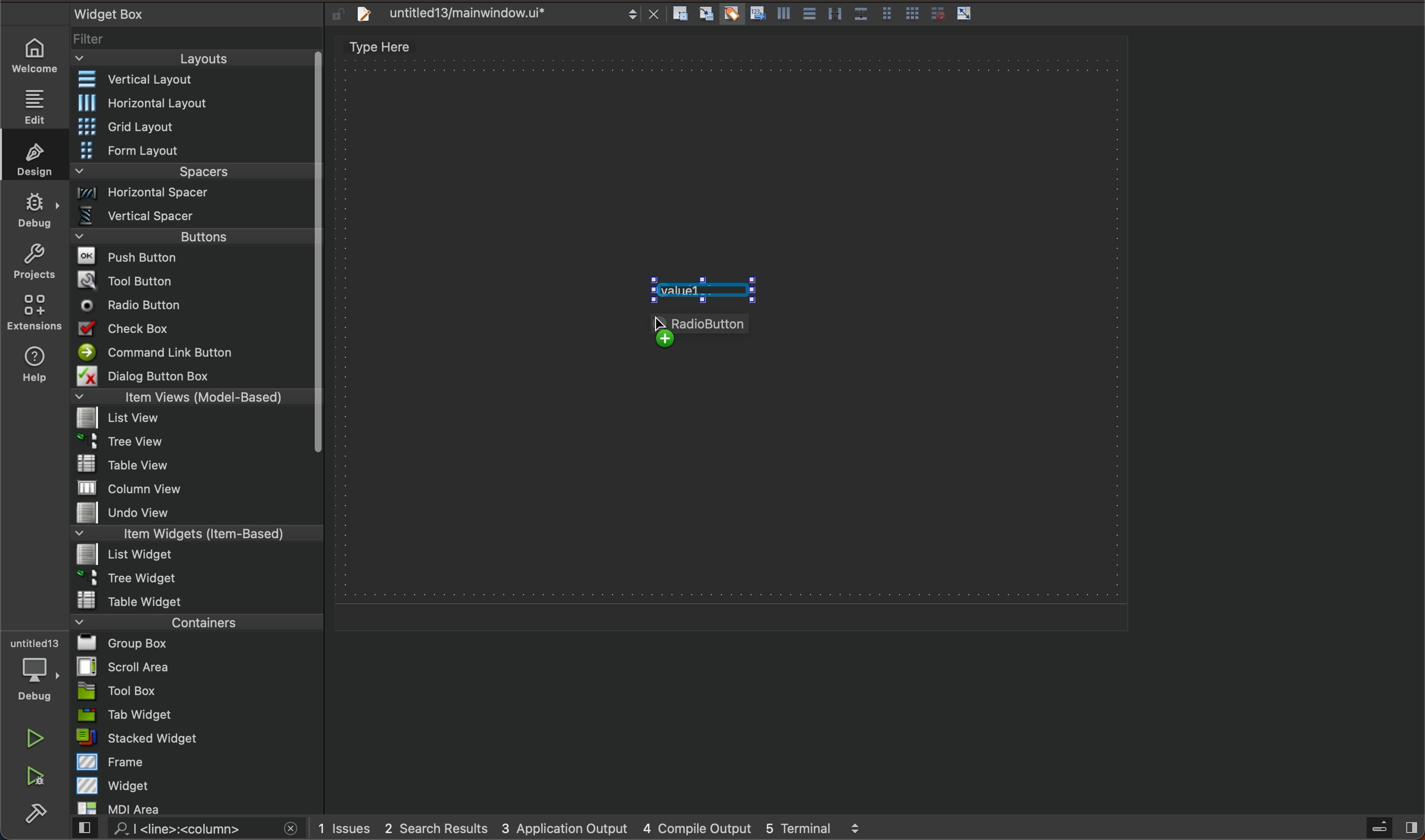 This screenshot has width=1425, height=840. I want to click on , so click(194, 240).